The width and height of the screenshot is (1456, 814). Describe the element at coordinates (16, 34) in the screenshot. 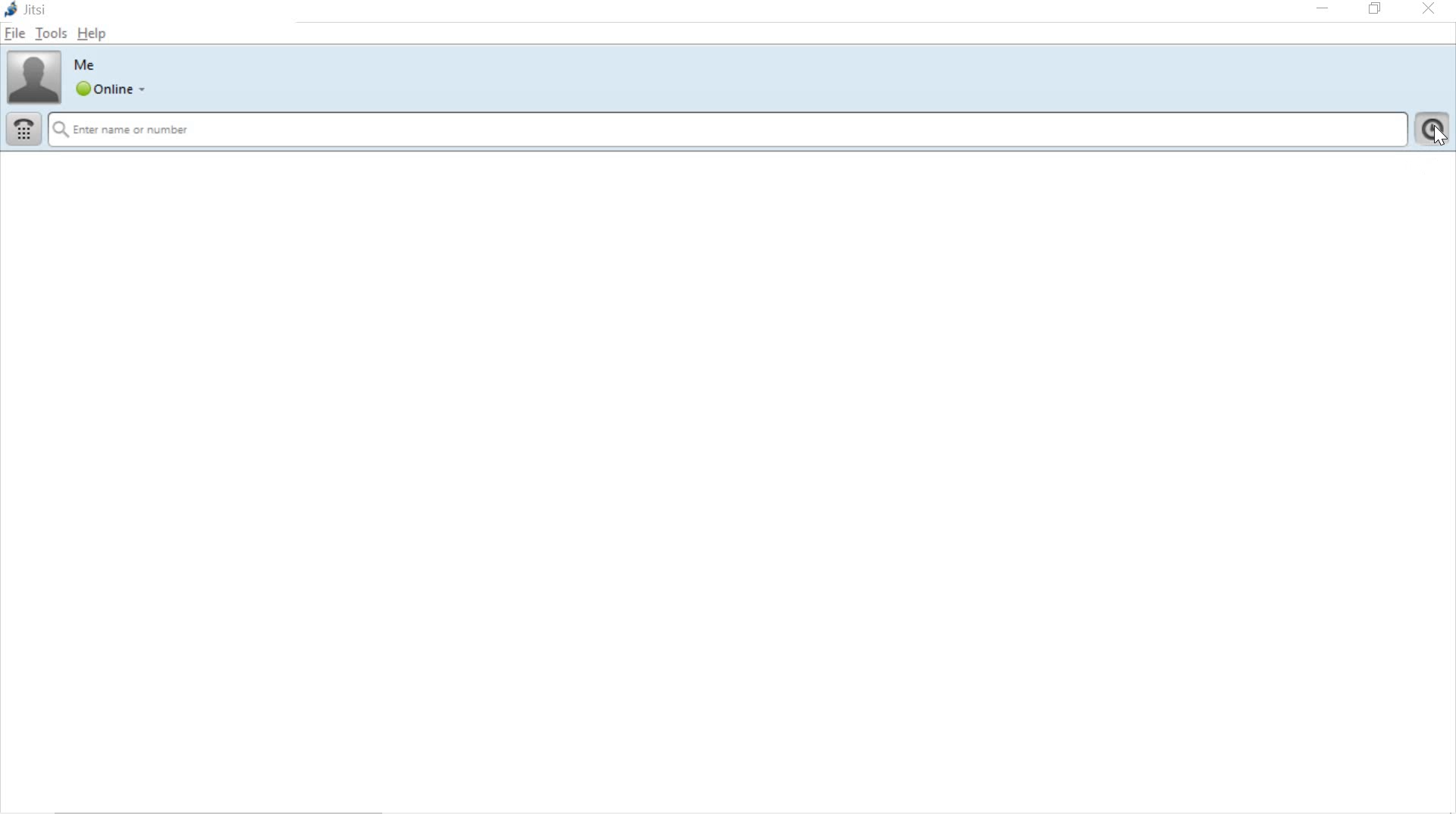

I see `file` at that location.